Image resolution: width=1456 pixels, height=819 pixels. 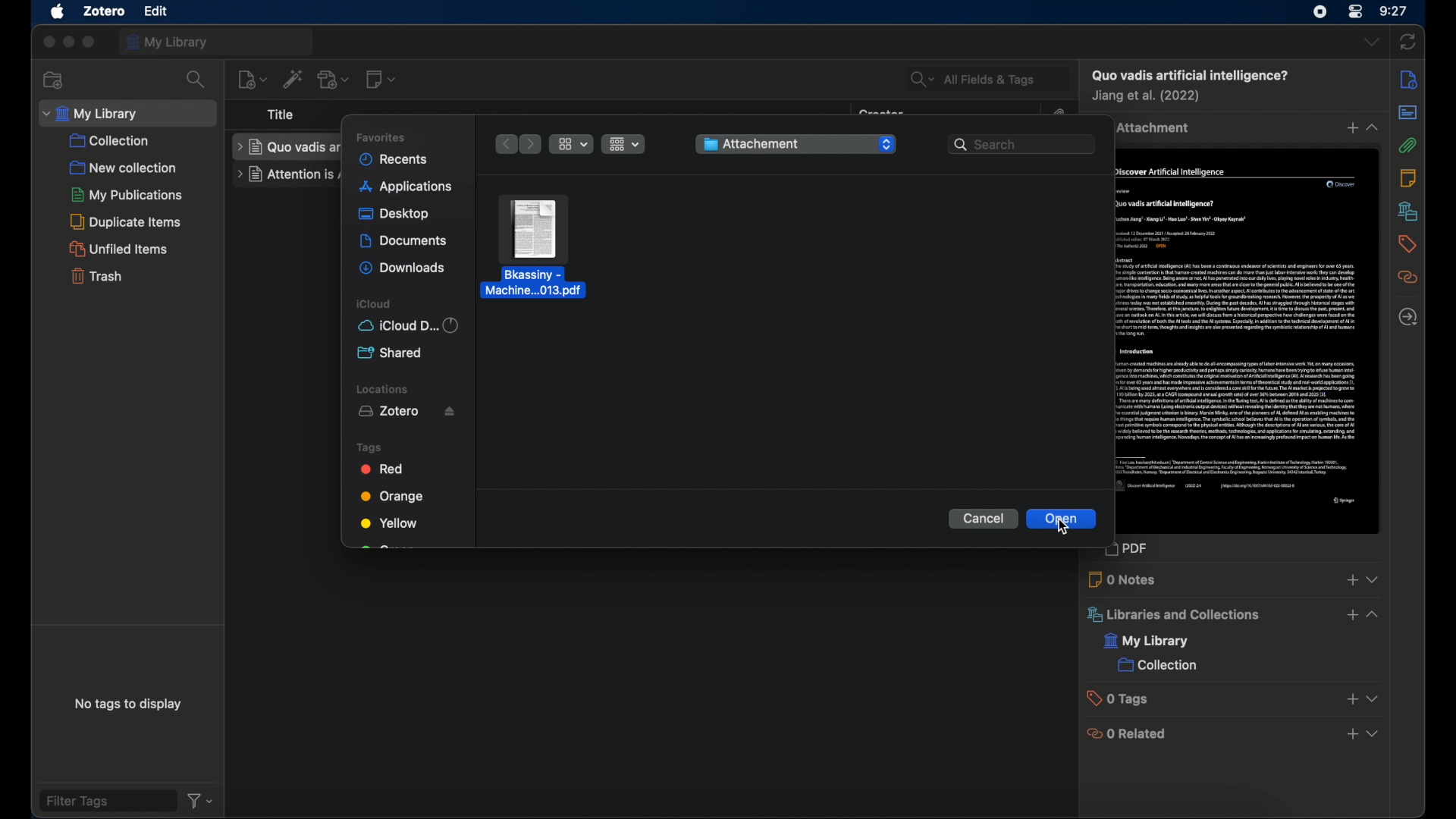 I want to click on cancel, so click(x=984, y=519).